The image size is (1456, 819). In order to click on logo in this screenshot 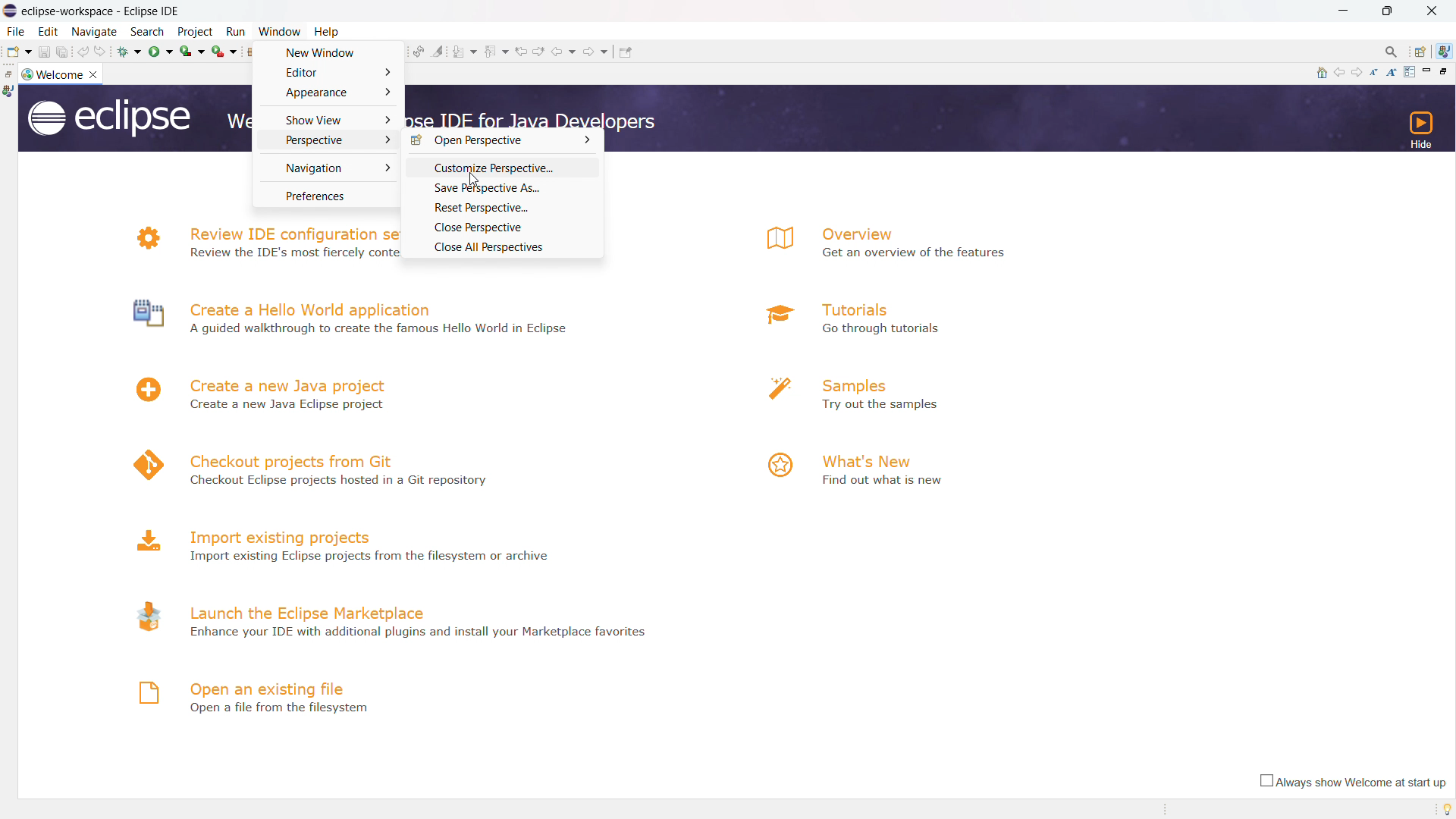, I will do `click(772, 315)`.